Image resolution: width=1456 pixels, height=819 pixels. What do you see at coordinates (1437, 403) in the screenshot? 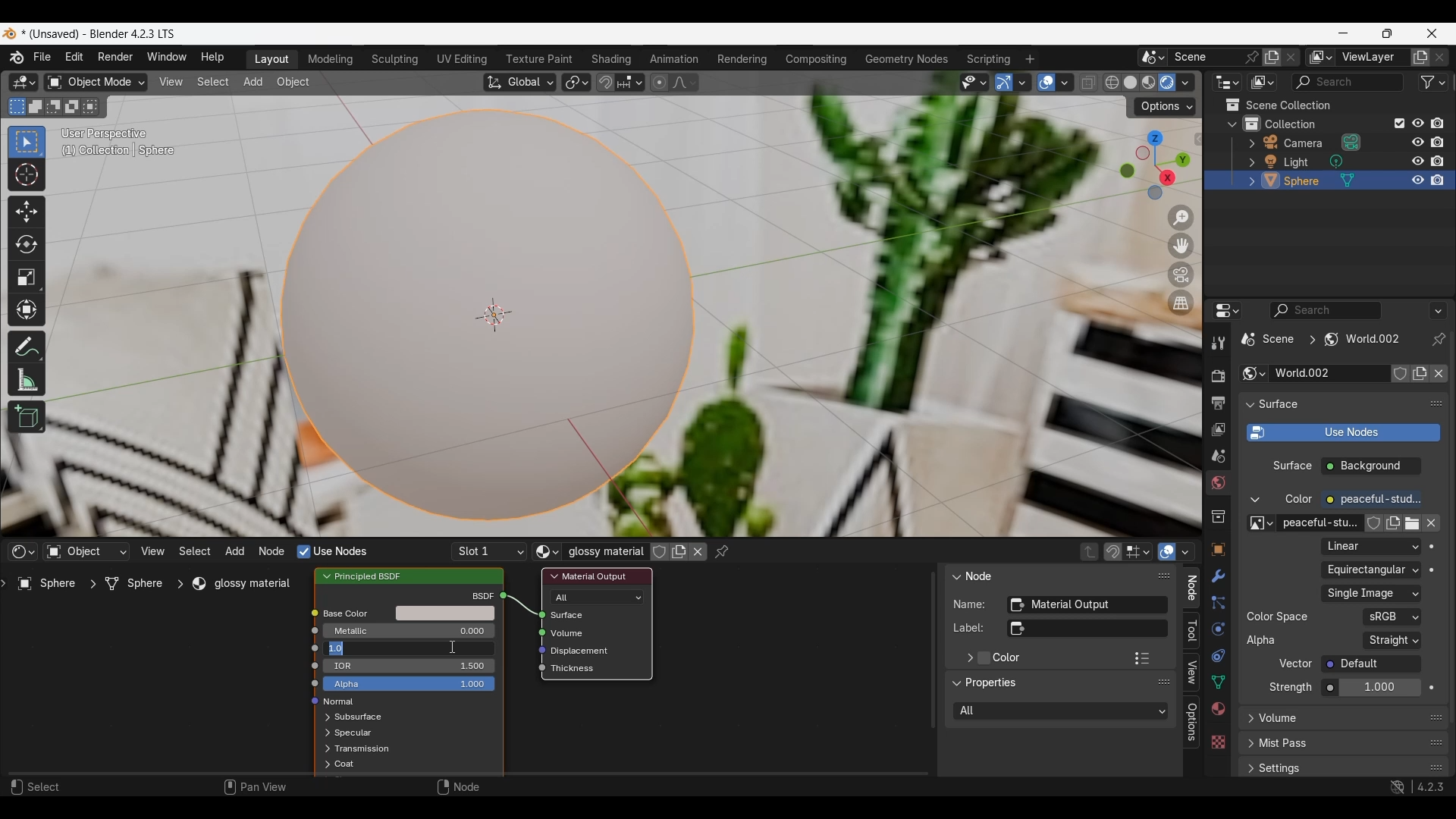
I see `Float surface panel` at bounding box center [1437, 403].